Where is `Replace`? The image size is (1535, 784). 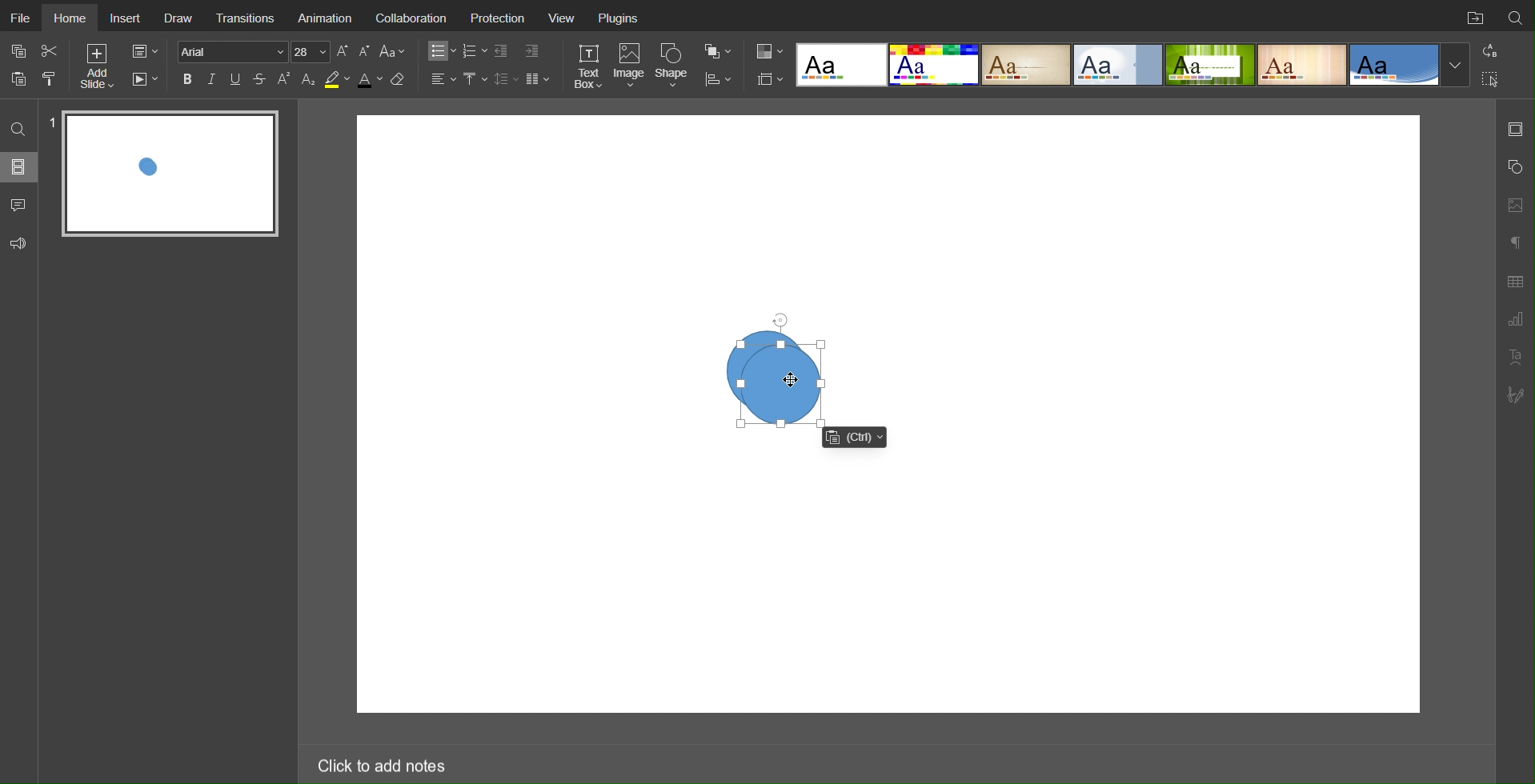
Replace is located at coordinates (1489, 50).